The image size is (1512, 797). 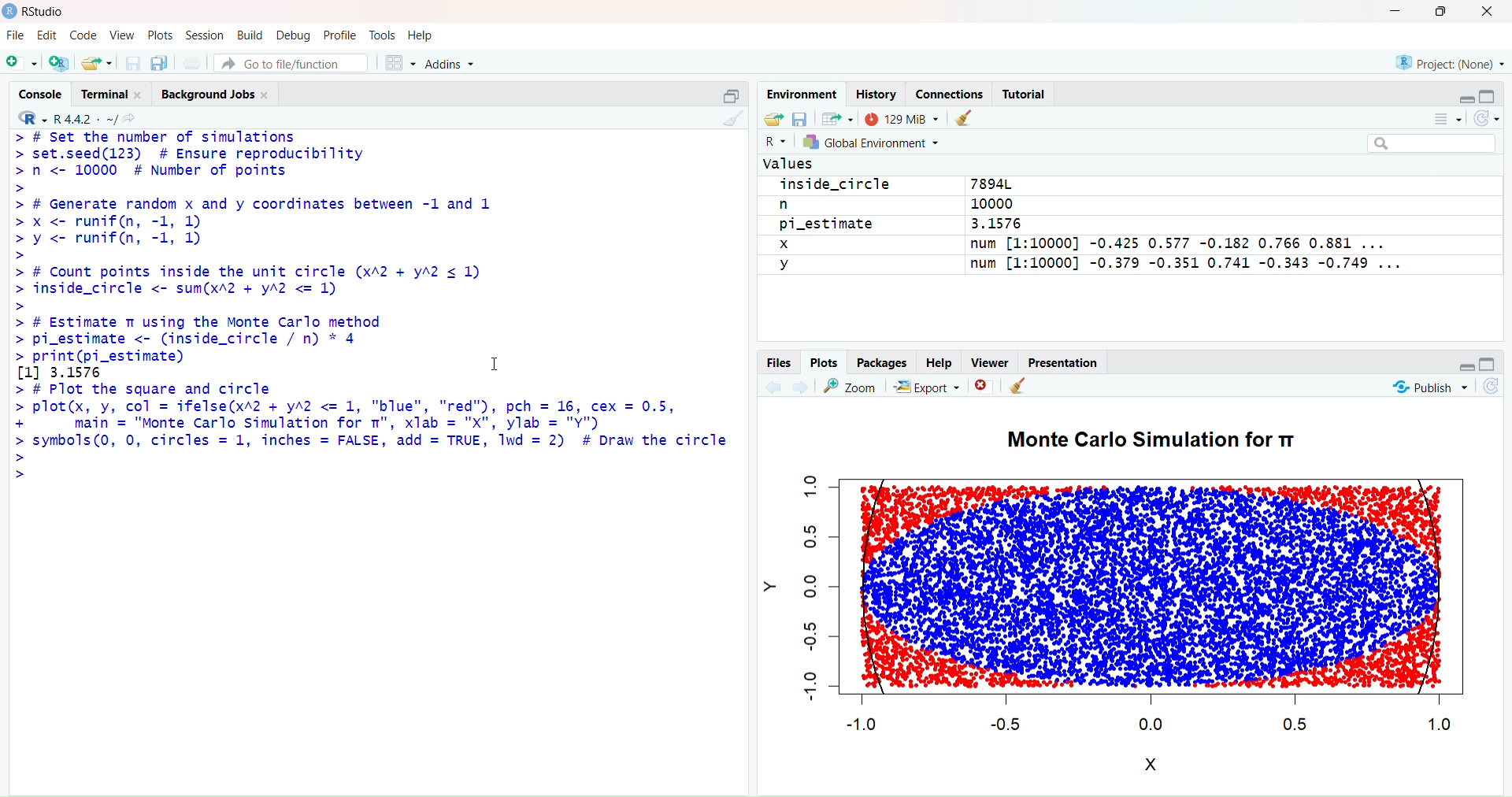 What do you see at coordinates (1489, 361) in the screenshot?
I see `Maximize` at bounding box center [1489, 361].